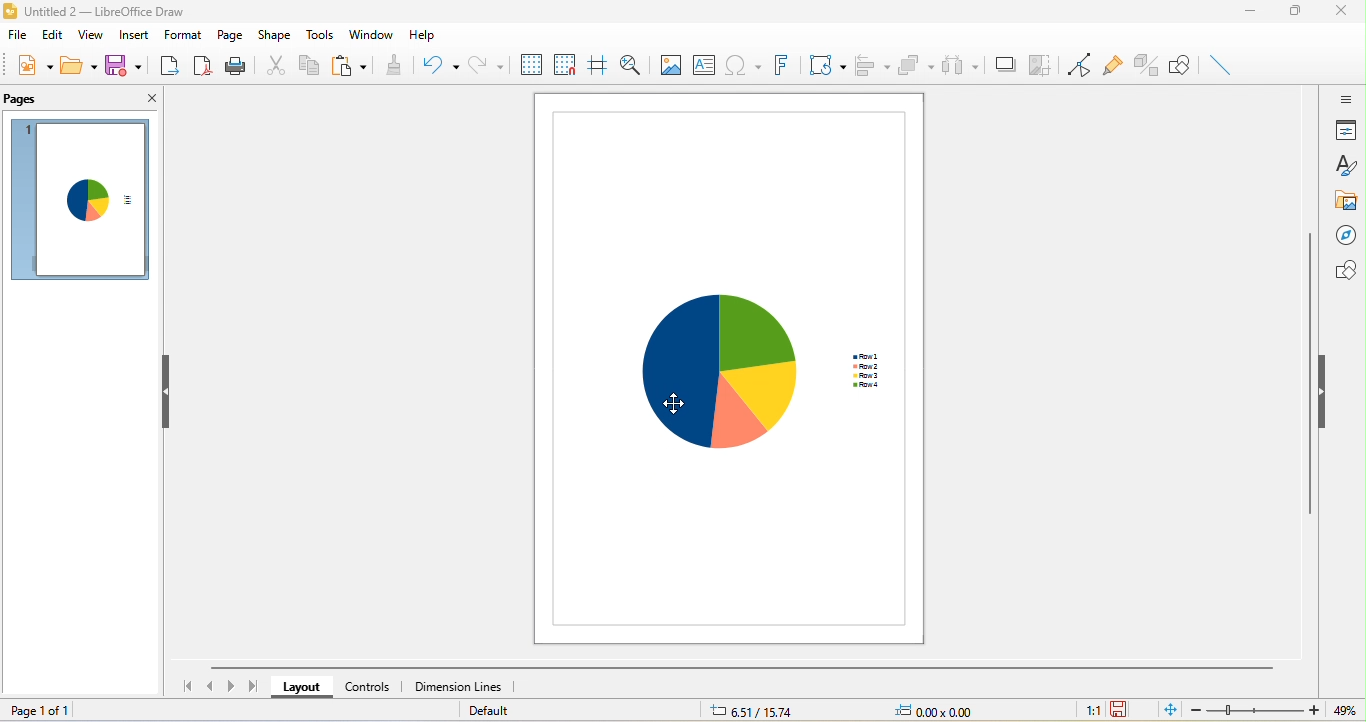  What do you see at coordinates (742, 64) in the screenshot?
I see `special characters` at bounding box center [742, 64].